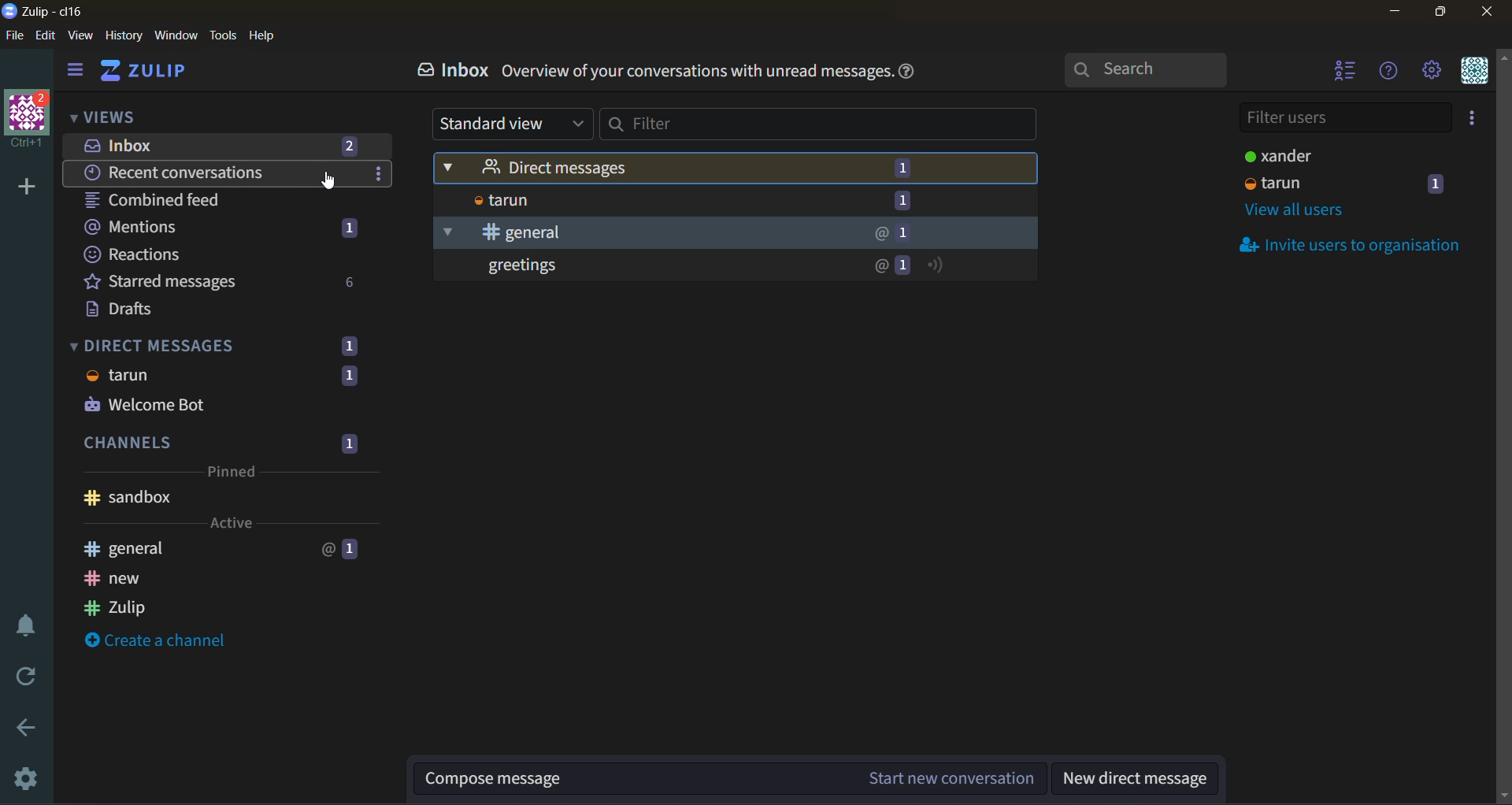  Describe the element at coordinates (24, 677) in the screenshot. I see `reload` at that location.